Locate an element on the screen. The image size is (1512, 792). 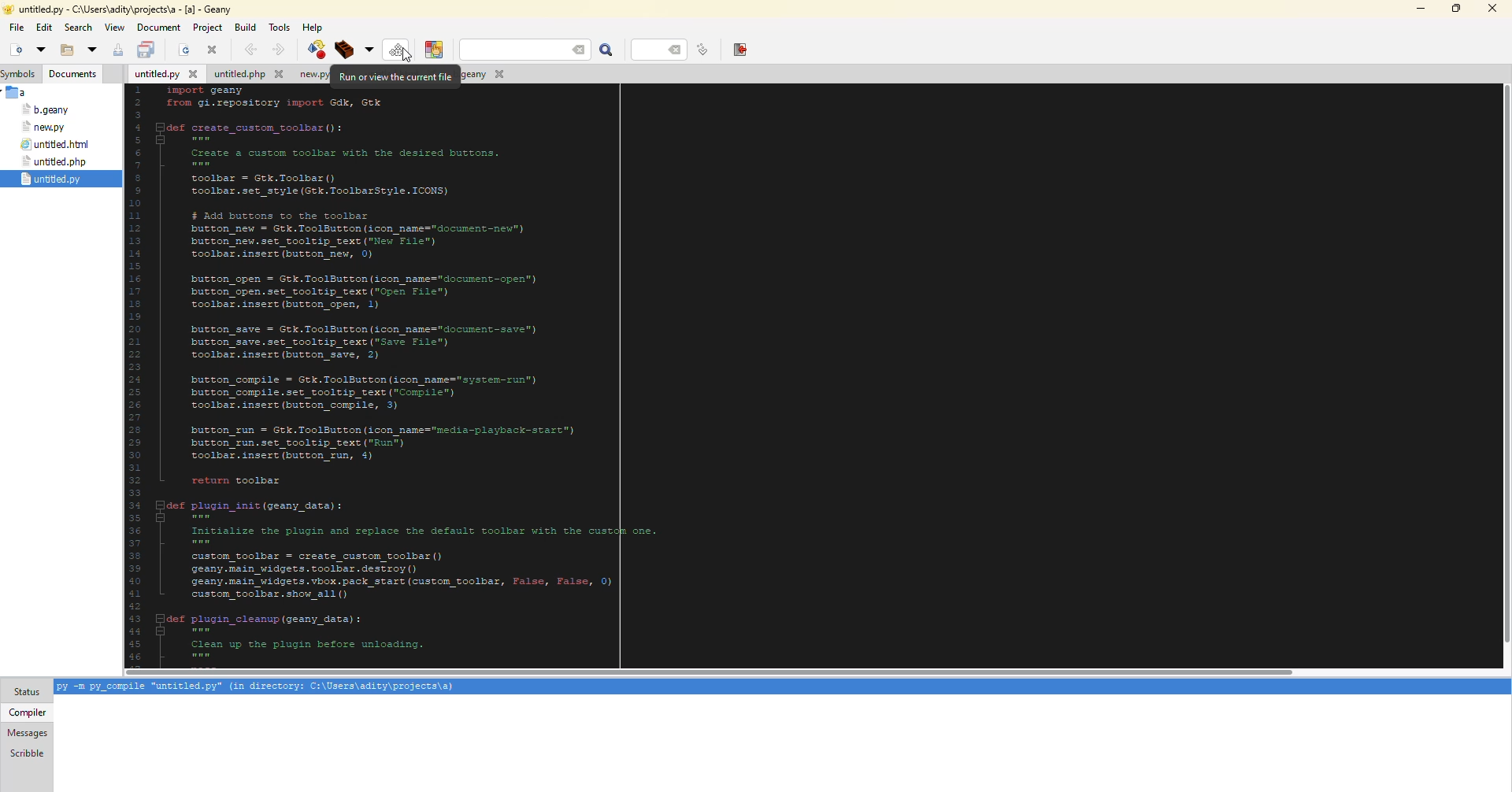
run or view is located at coordinates (398, 77).